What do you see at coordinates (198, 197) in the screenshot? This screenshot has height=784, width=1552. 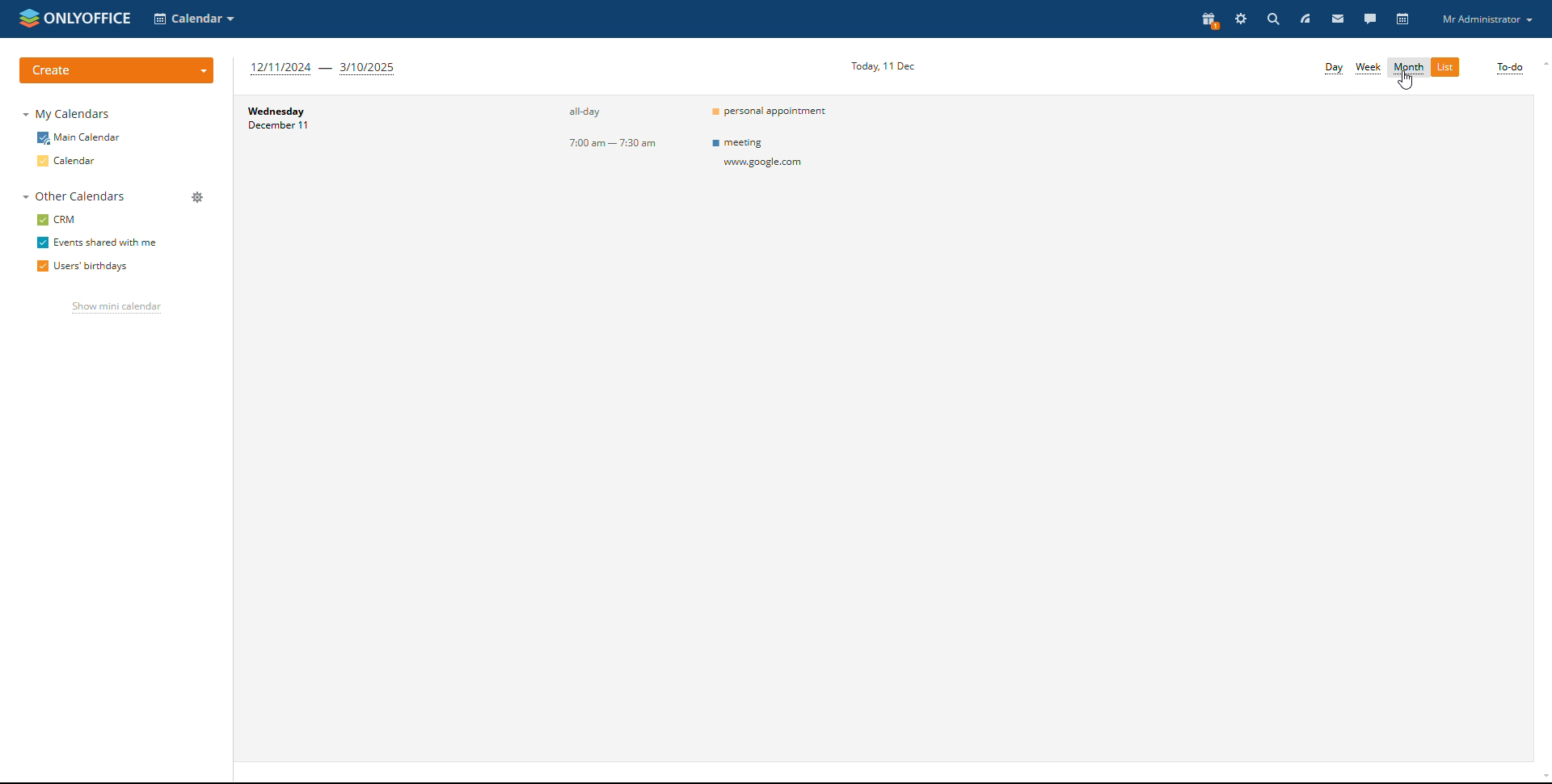 I see `manage` at bounding box center [198, 197].